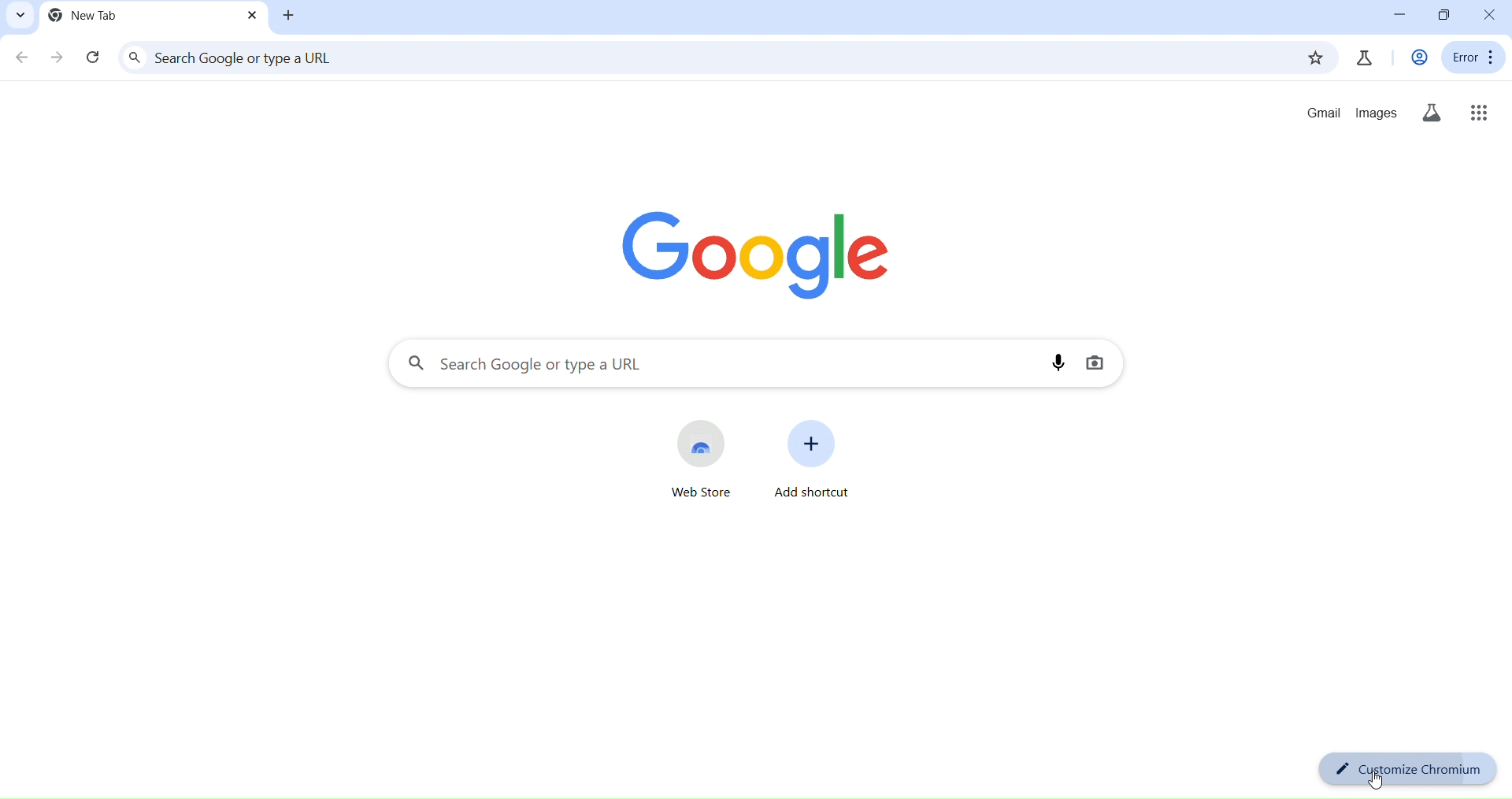 This screenshot has width=1512, height=799. I want to click on close, so click(1490, 13).